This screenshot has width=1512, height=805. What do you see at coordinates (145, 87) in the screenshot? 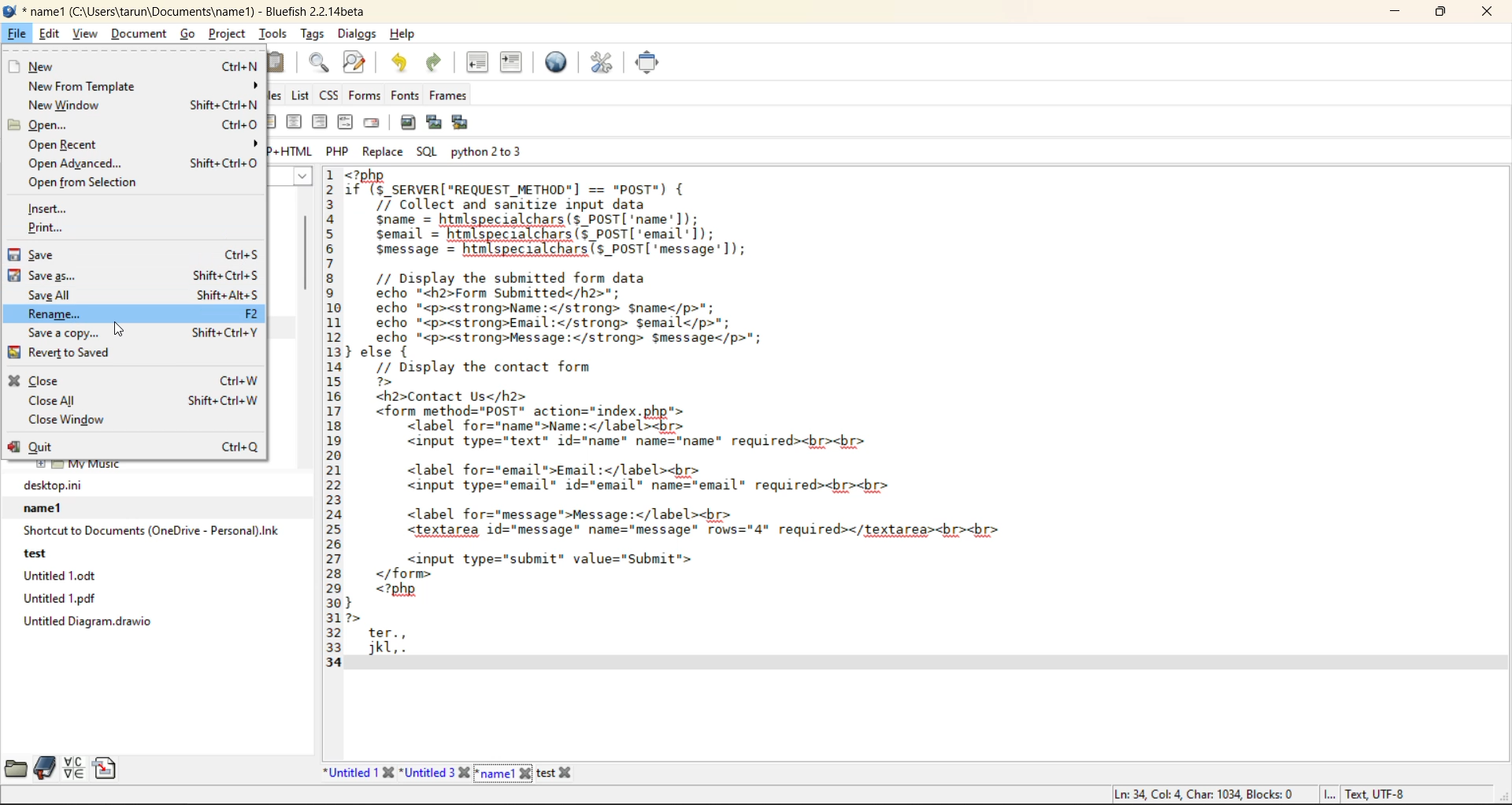
I see `new from template` at bounding box center [145, 87].